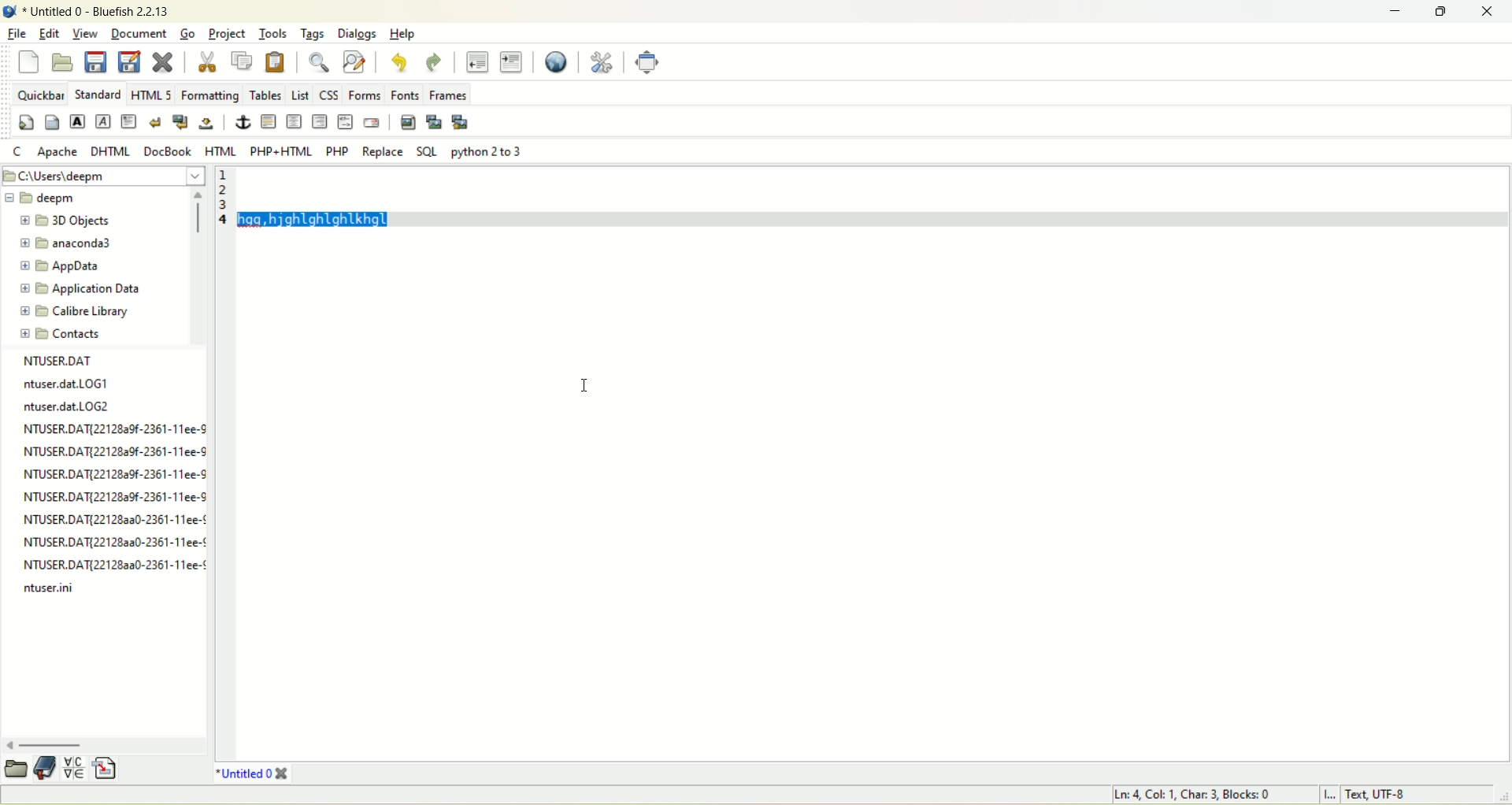 The height and width of the screenshot is (805, 1512). Describe the element at coordinates (112, 769) in the screenshot. I see `snippets` at that location.